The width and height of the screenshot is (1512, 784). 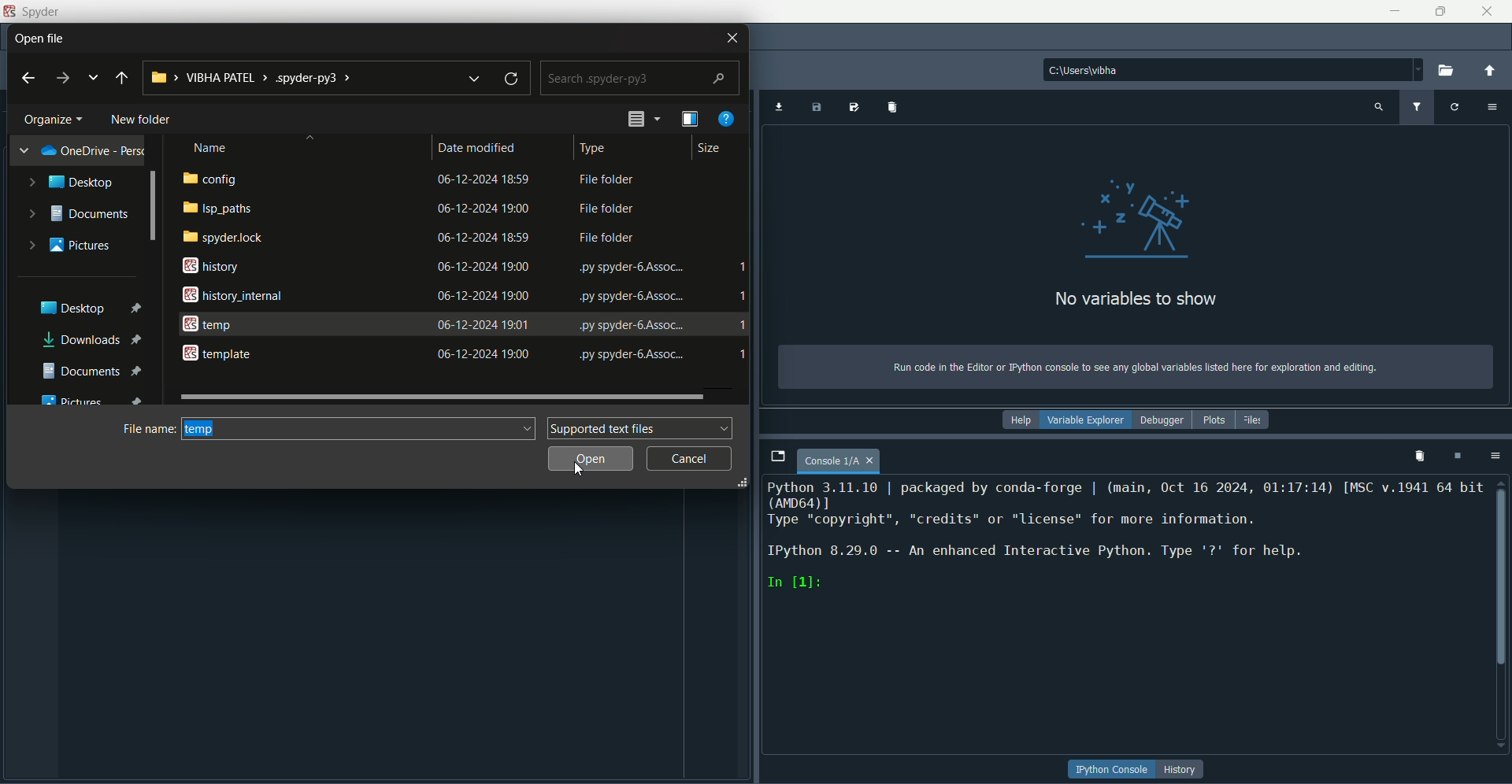 What do you see at coordinates (630, 355) in the screenshot?
I see `text` at bounding box center [630, 355].